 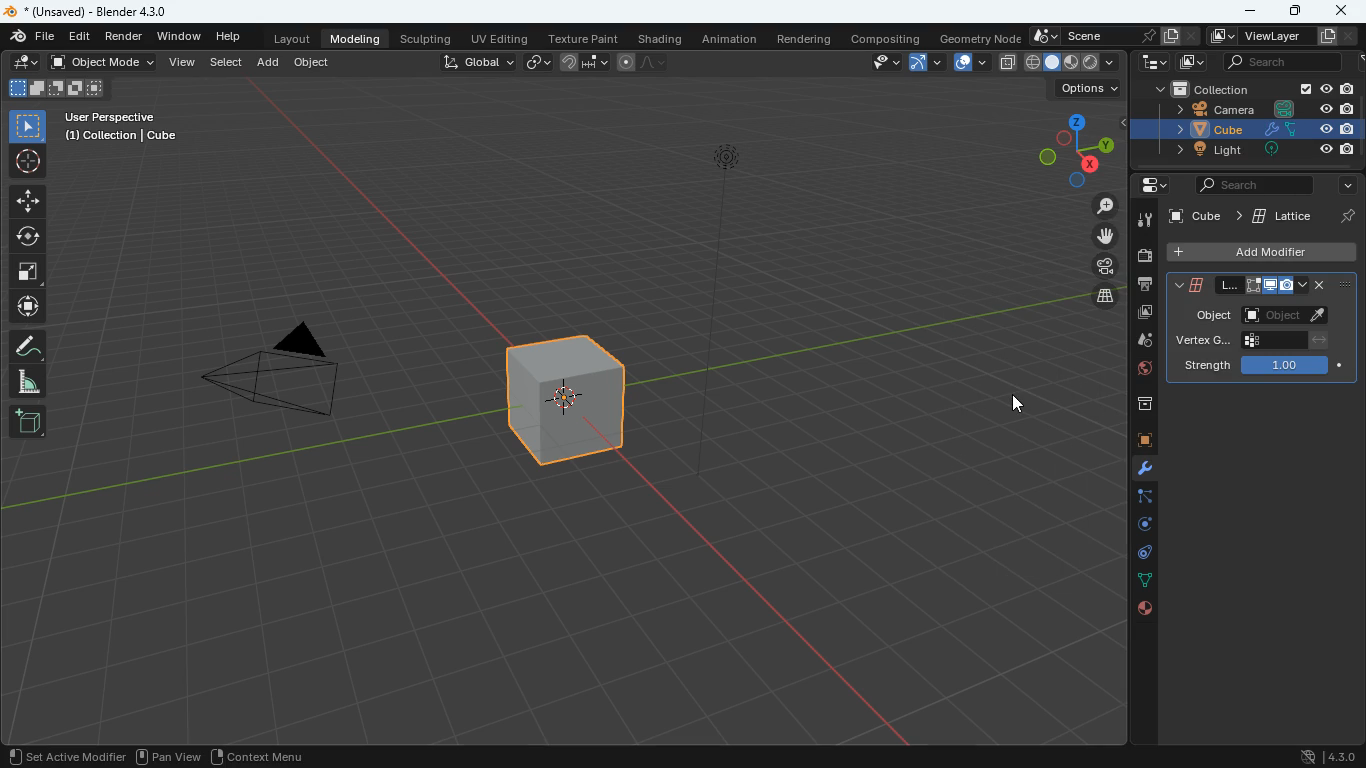 What do you see at coordinates (645, 61) in the screenshot?
I see `line` at bounding box center [645, 61].